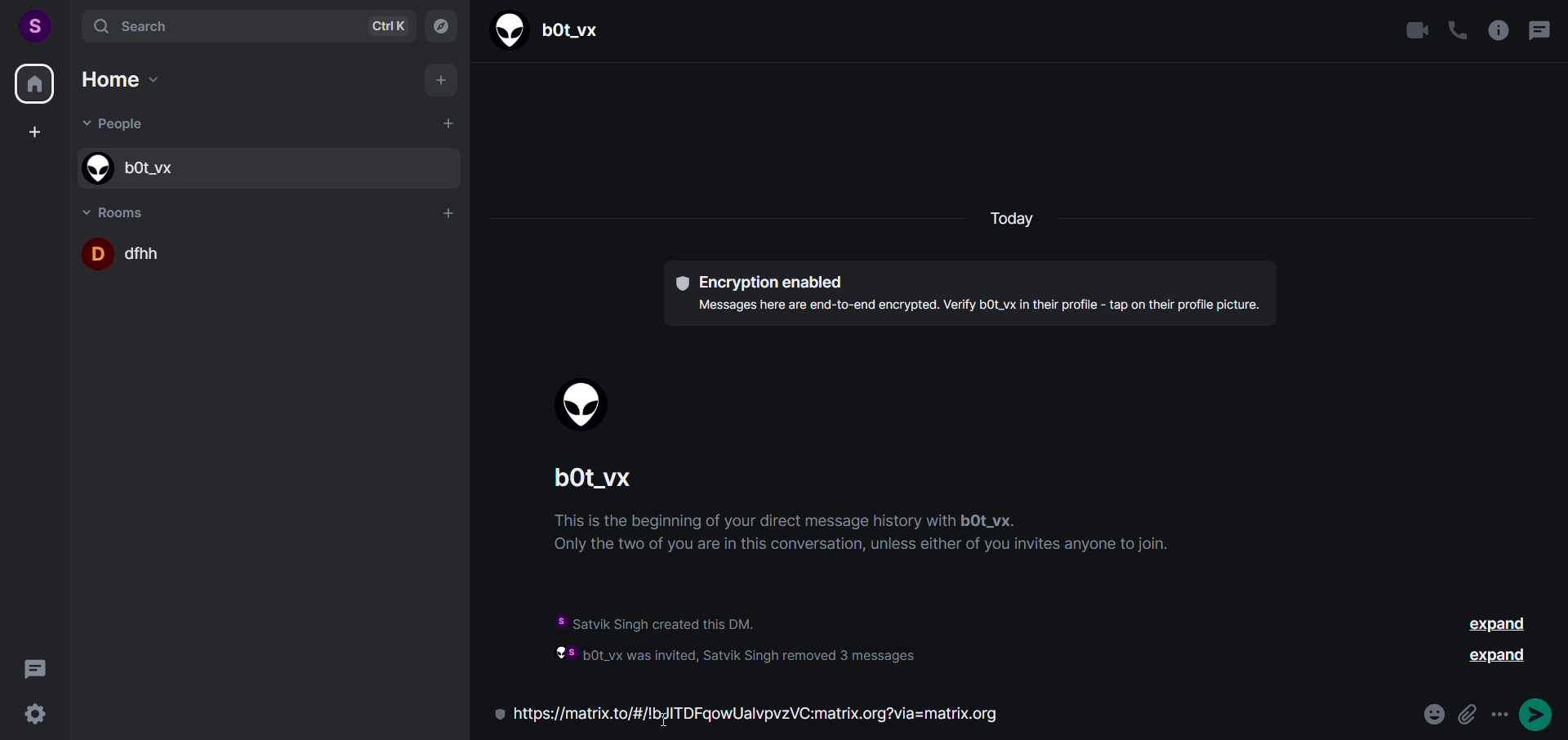  What do you see at coordinates (119, 210) in the screenshot?
I see `room` at bounding box center [119, 210].